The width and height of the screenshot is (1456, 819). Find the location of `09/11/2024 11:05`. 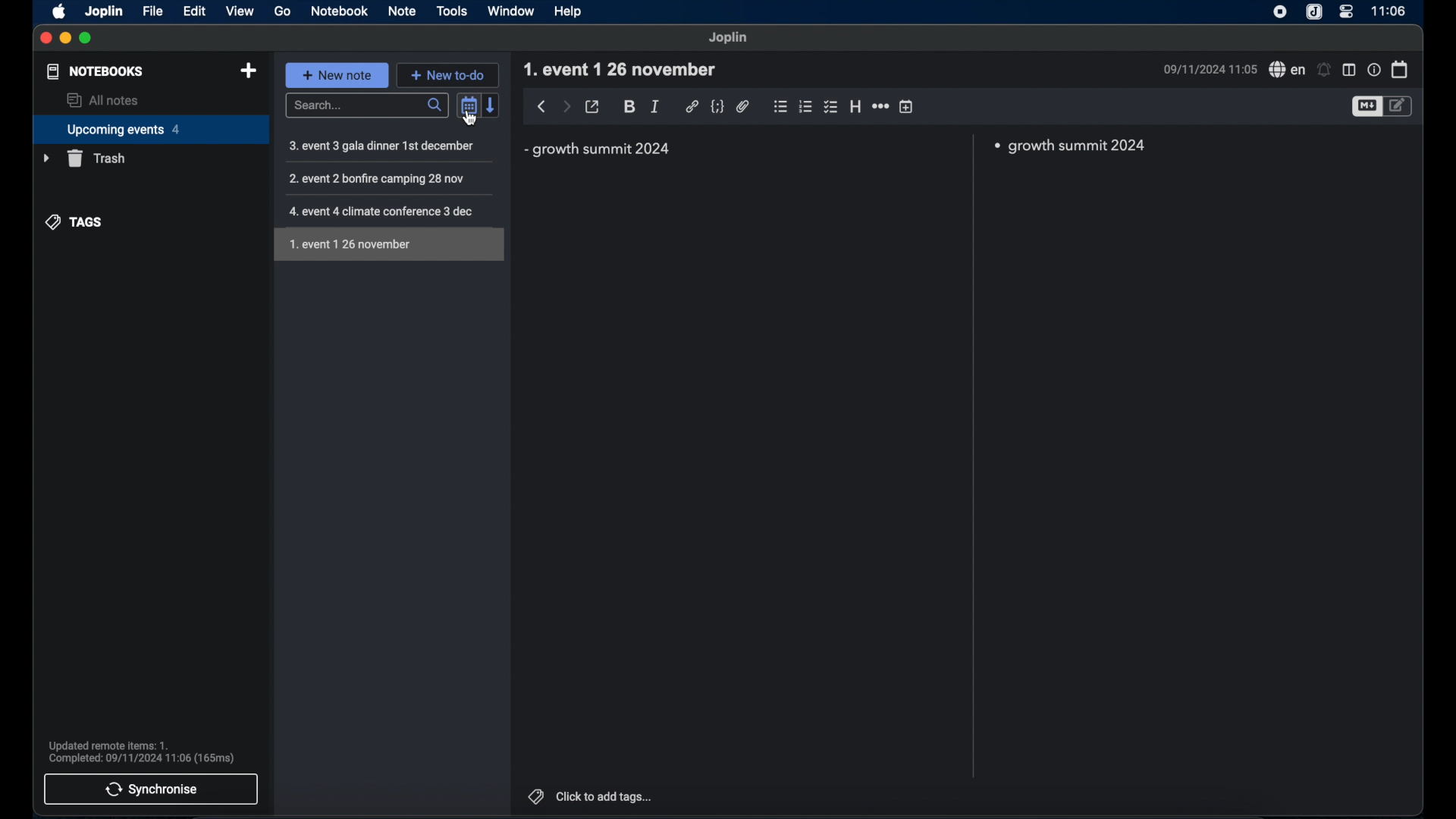

09/11/2024 11:05 is located at coordinates (1210, 69).